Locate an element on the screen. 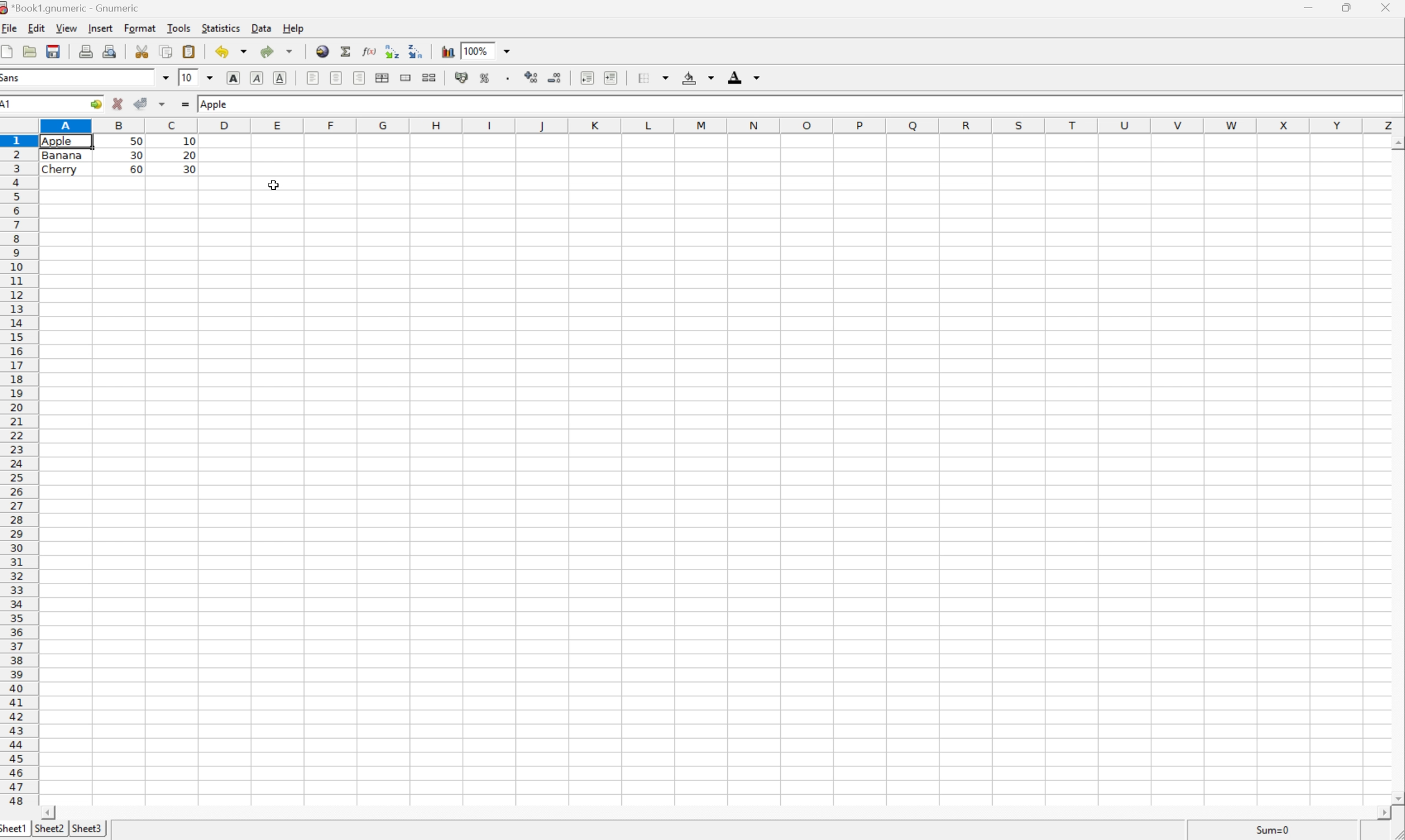 The image size is (1405, 840). redo is located at coordinates (277, 52).